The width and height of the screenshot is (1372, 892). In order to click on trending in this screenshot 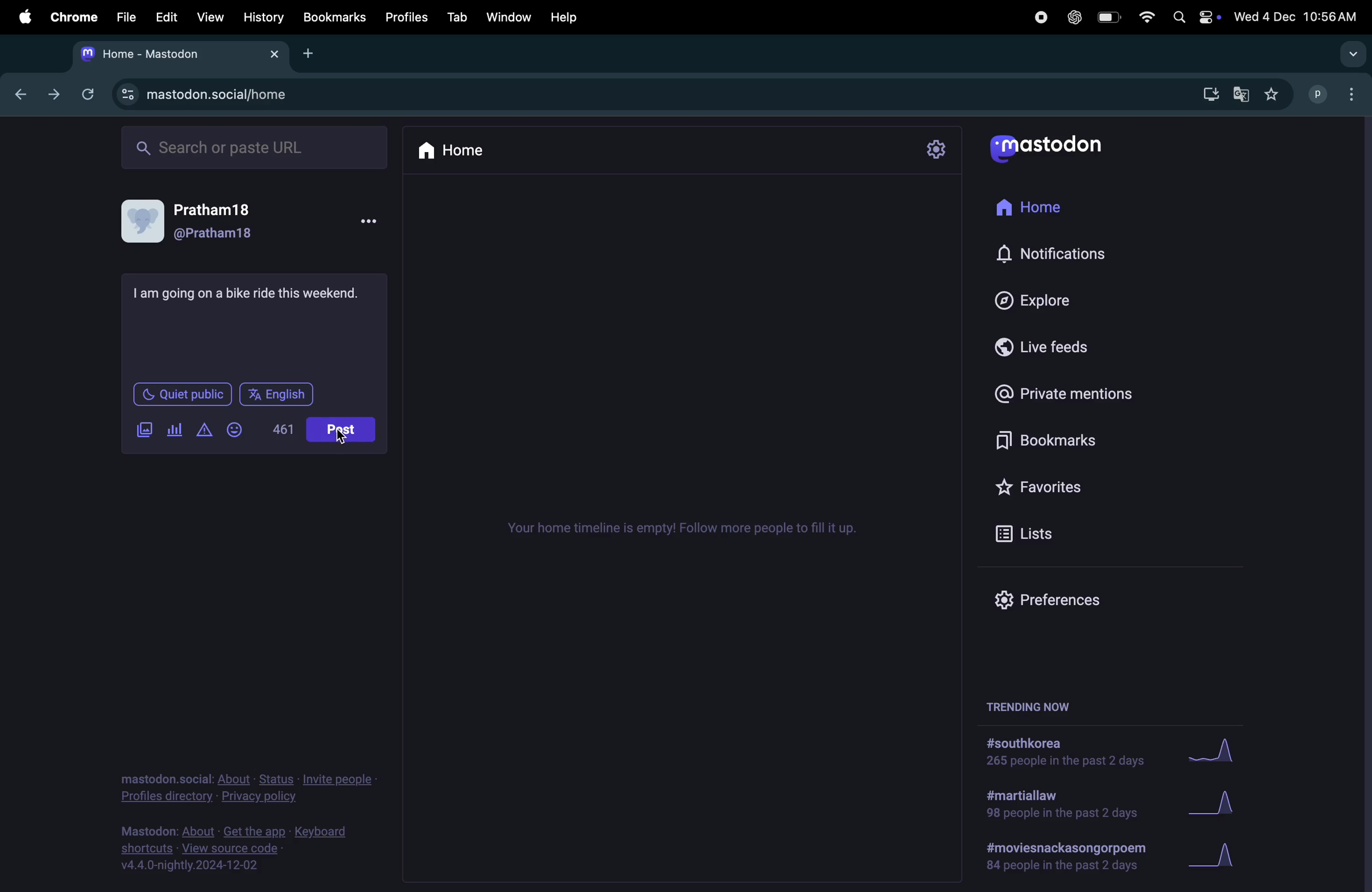, I will do `click(1066, 855)`.